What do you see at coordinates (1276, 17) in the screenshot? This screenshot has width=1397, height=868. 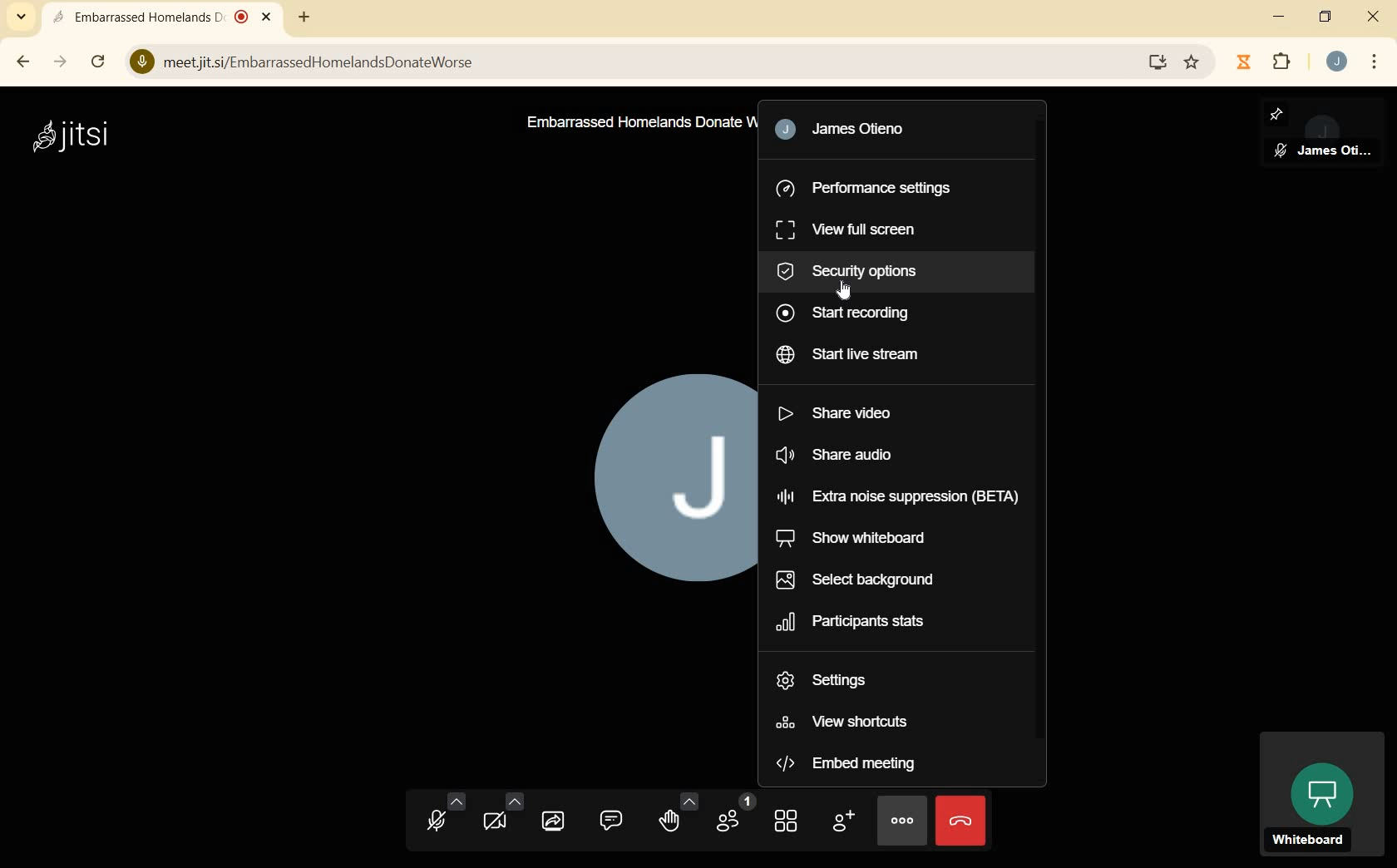 I see `minimize` at bounding box center [1276, 17].